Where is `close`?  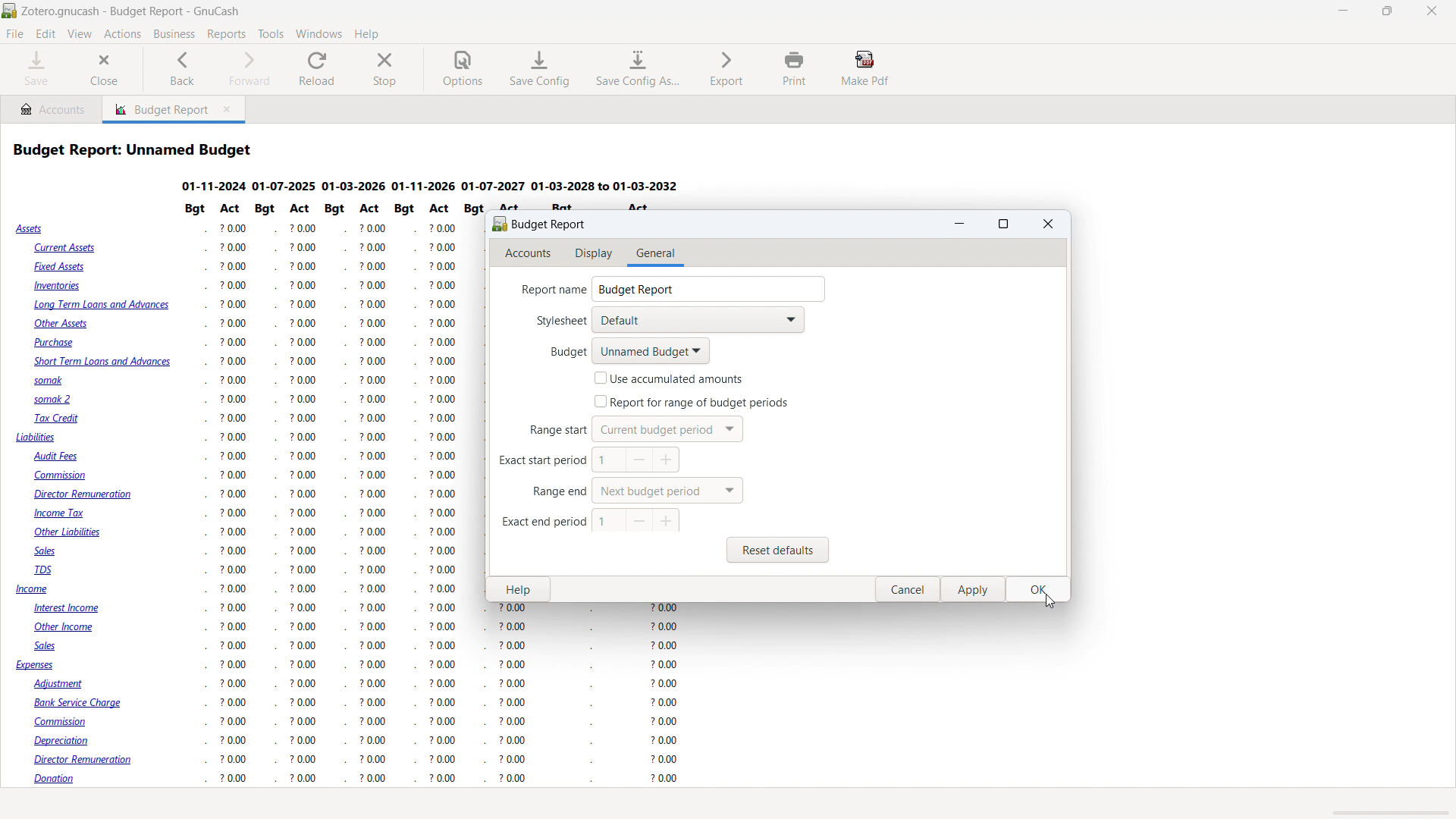 close is located at coordinates (911, 591).